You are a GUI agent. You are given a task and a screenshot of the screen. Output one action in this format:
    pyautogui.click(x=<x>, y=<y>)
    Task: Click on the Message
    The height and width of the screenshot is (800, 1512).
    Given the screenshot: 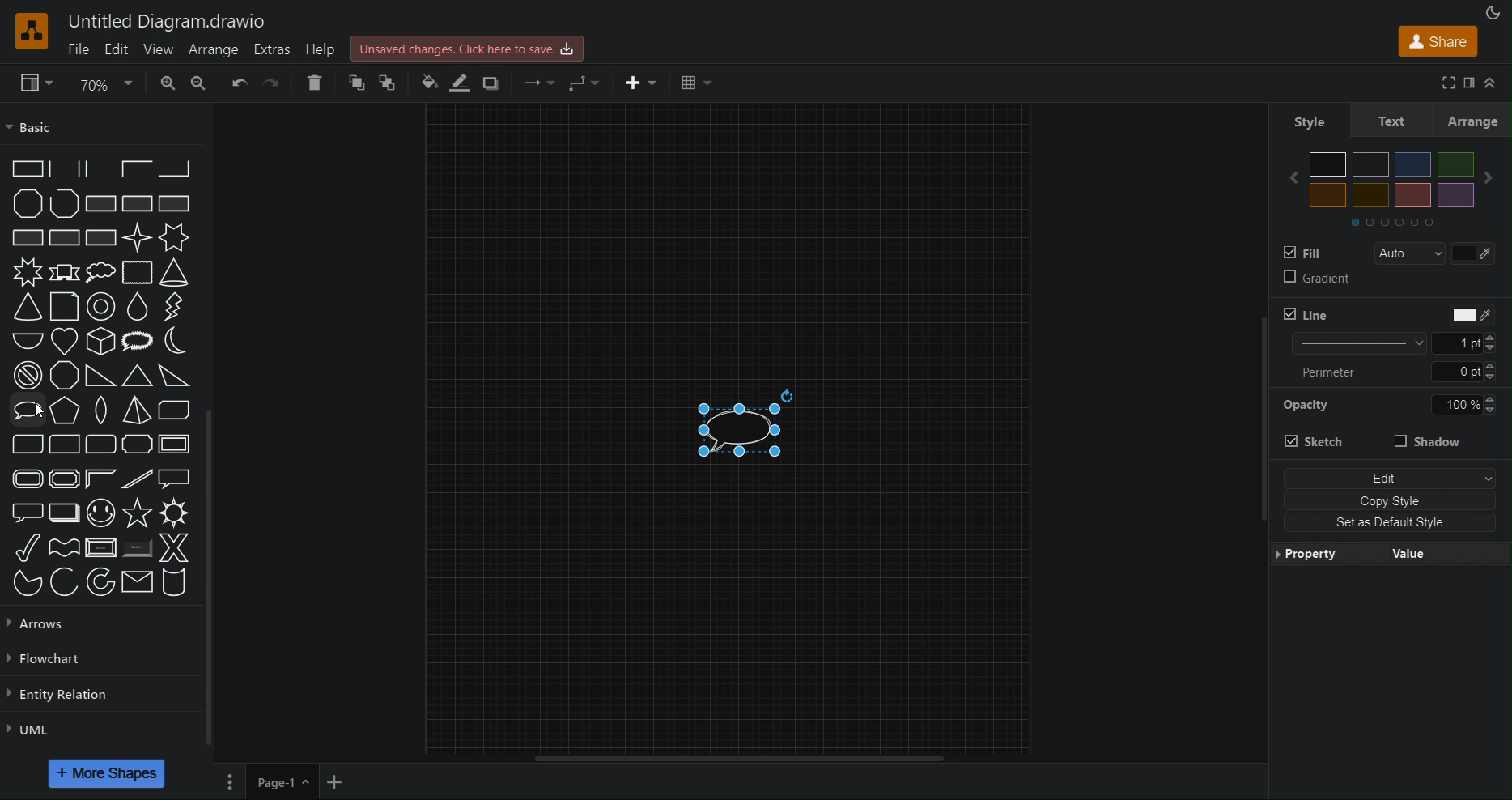 What is the action you would take?
    pyautogui.click(x=137, y=582)
    